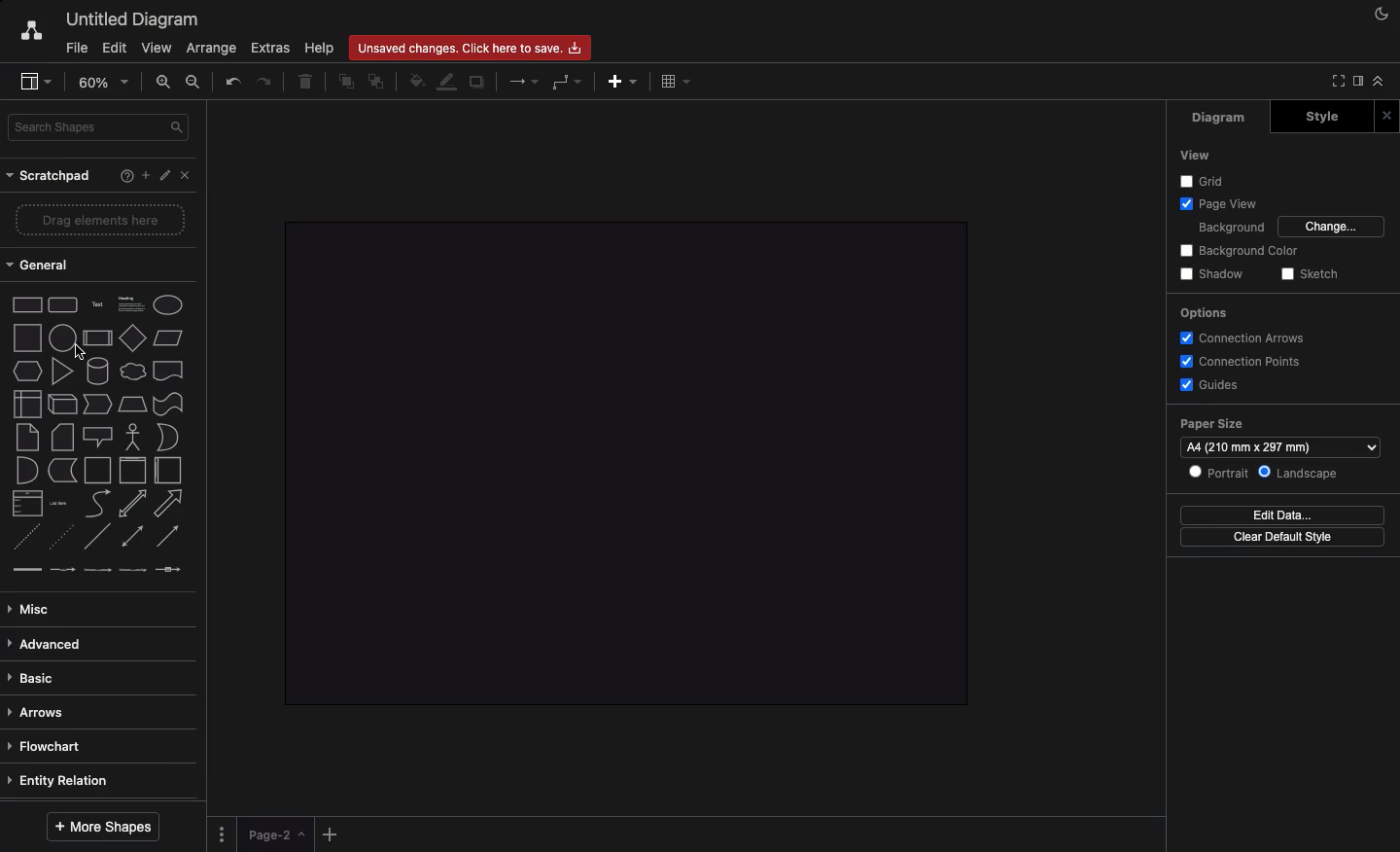 The image size is (1400, 852). Describe the element at coordinates (1381, 16) in the screenshot. I see `Night mode` at that location.